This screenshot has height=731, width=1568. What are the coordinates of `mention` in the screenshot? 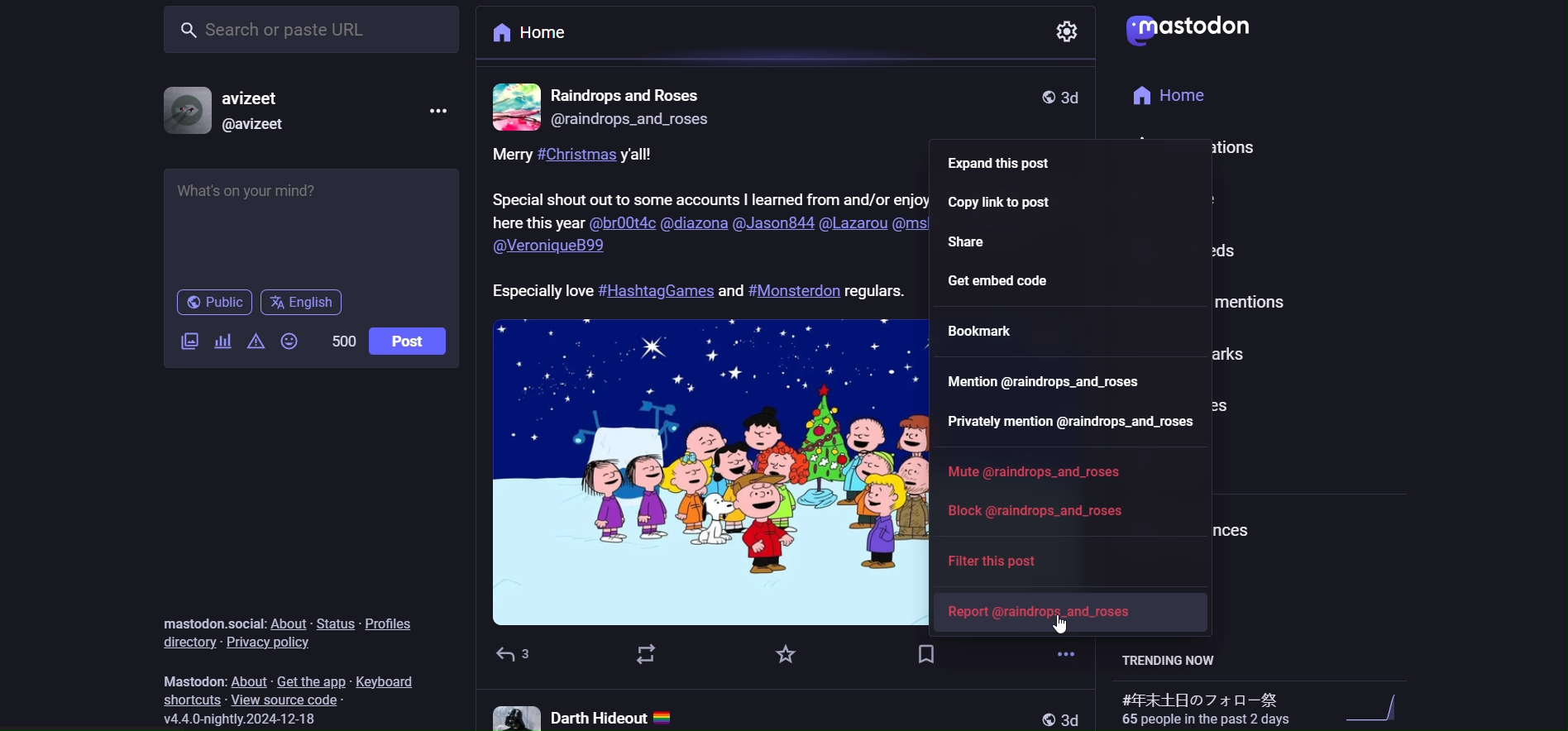 It's located at (1042, 380).